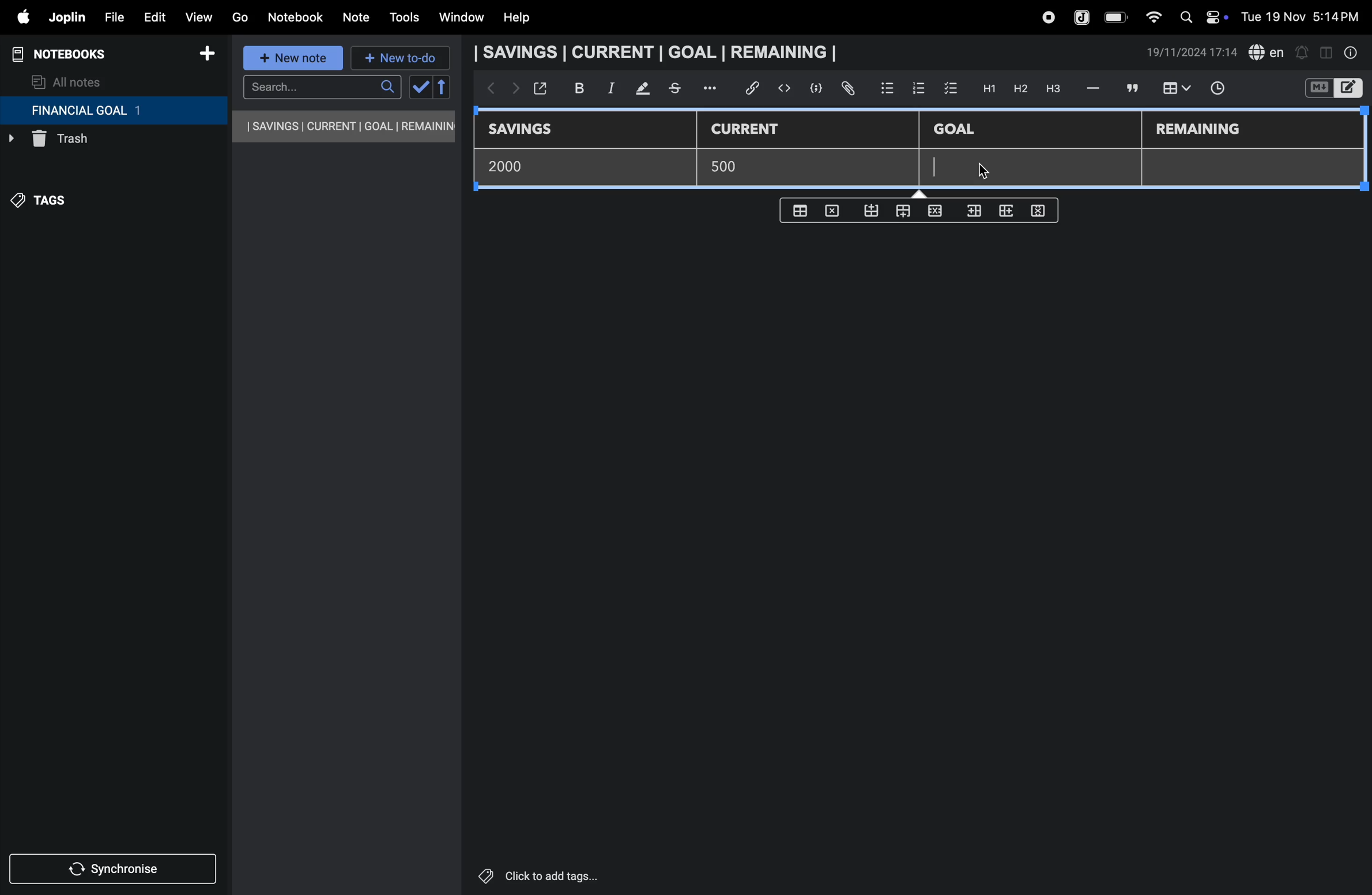  Describe the element at coordinates (1083, 16) in the screenshot. I see `joplin` at that location.